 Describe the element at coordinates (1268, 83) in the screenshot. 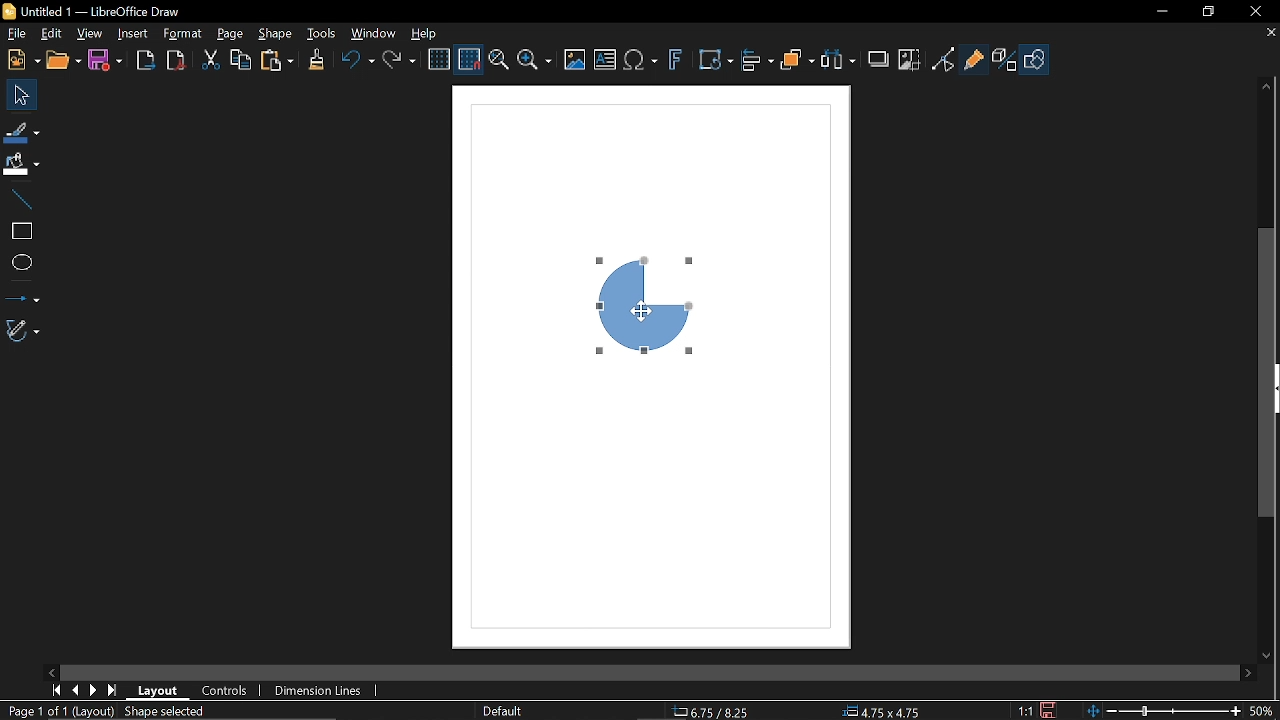

I see `Move up` at that location.